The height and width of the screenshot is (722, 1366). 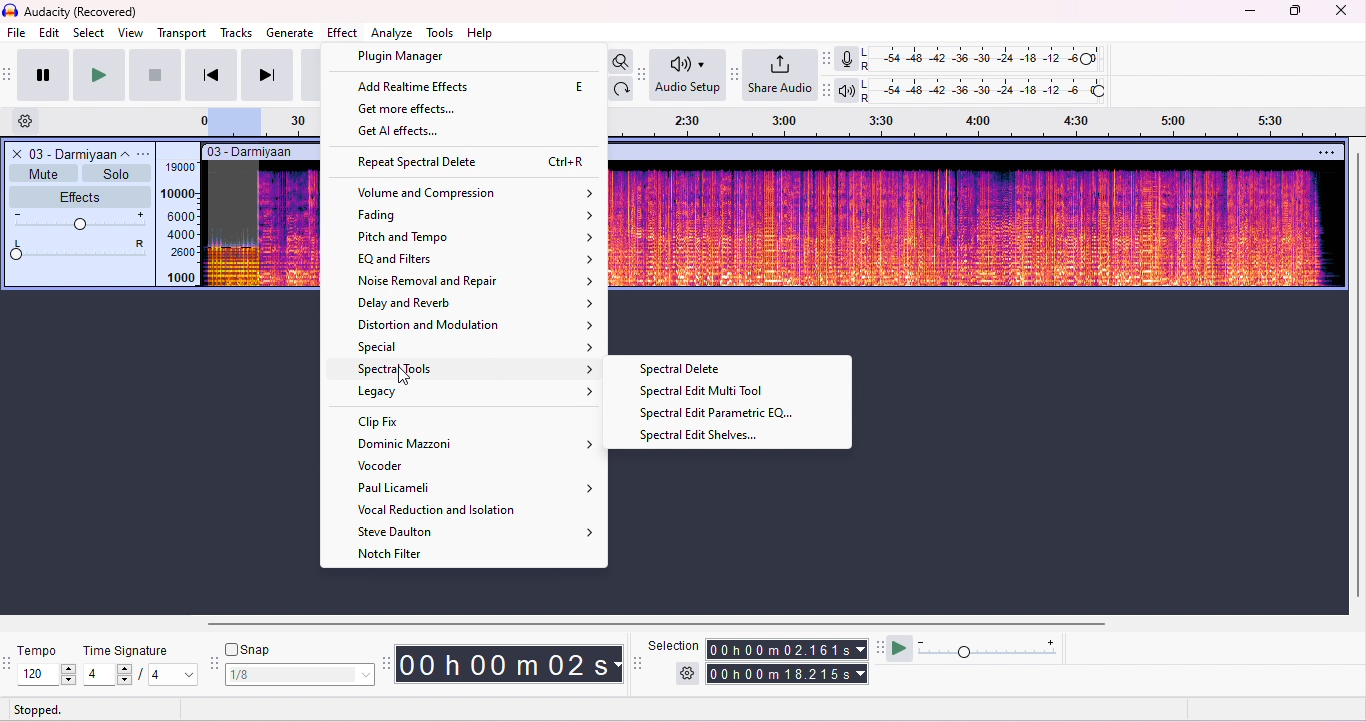 What do you see at coordinates (988, 90) in the screenshot?
I see `playback level` at bounding box center [988, 90].